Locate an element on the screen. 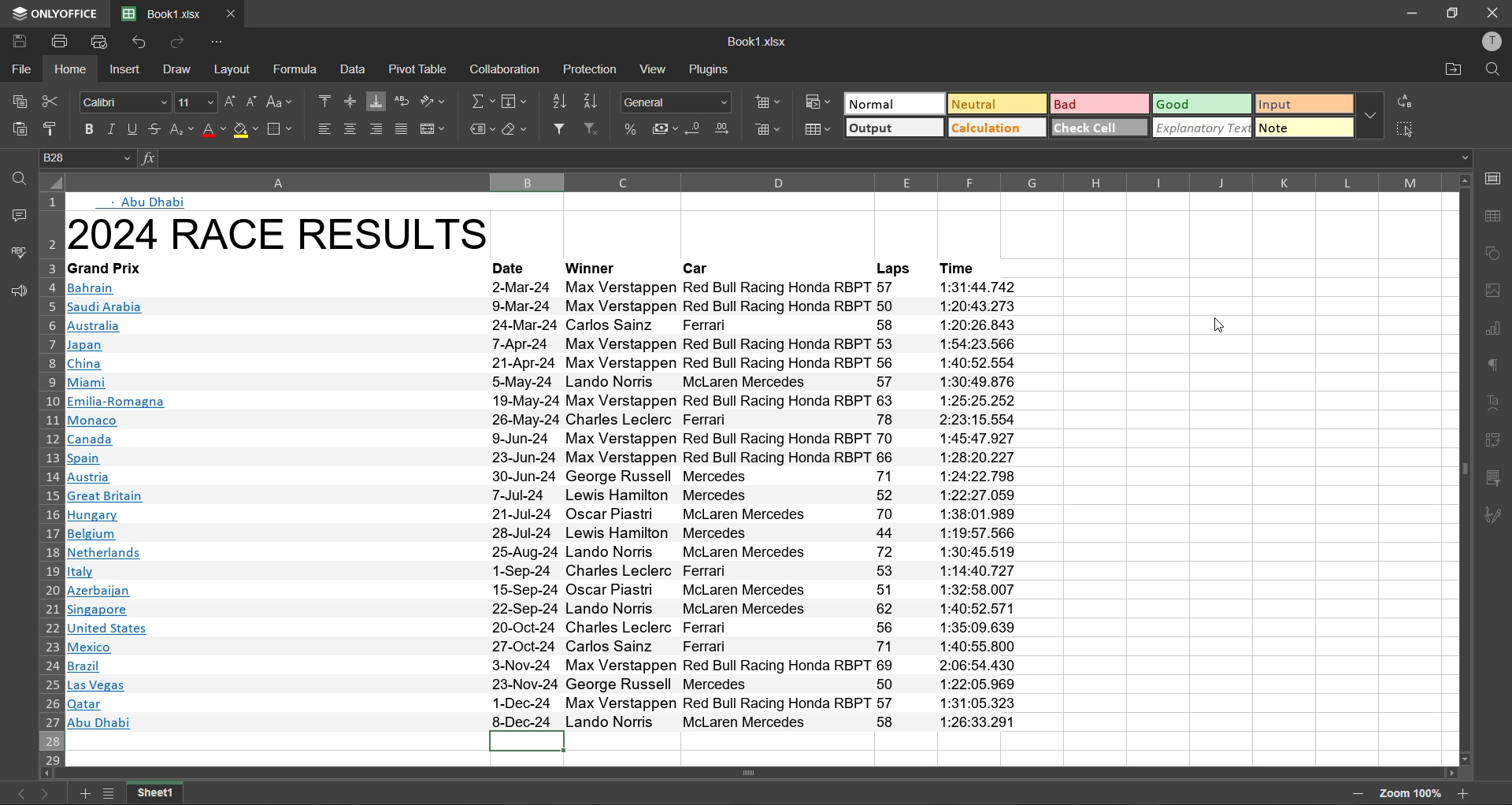 Image resolution: width=1512 pixels, height=805 pixels. formula is located at coordinates (296, 70).